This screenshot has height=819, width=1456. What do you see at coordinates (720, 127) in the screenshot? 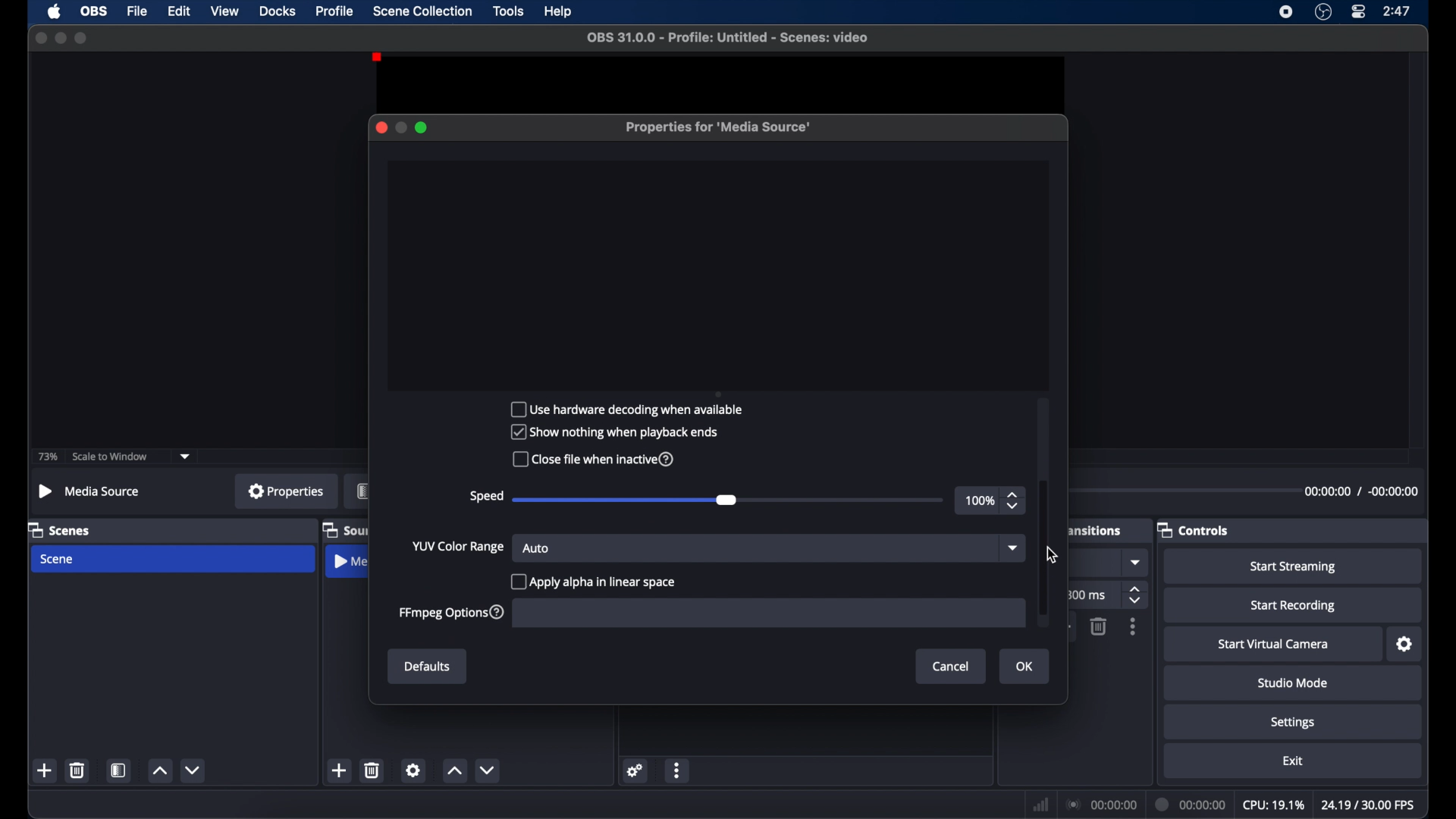
I see `properties for media source` at bounding box center [720, 127].